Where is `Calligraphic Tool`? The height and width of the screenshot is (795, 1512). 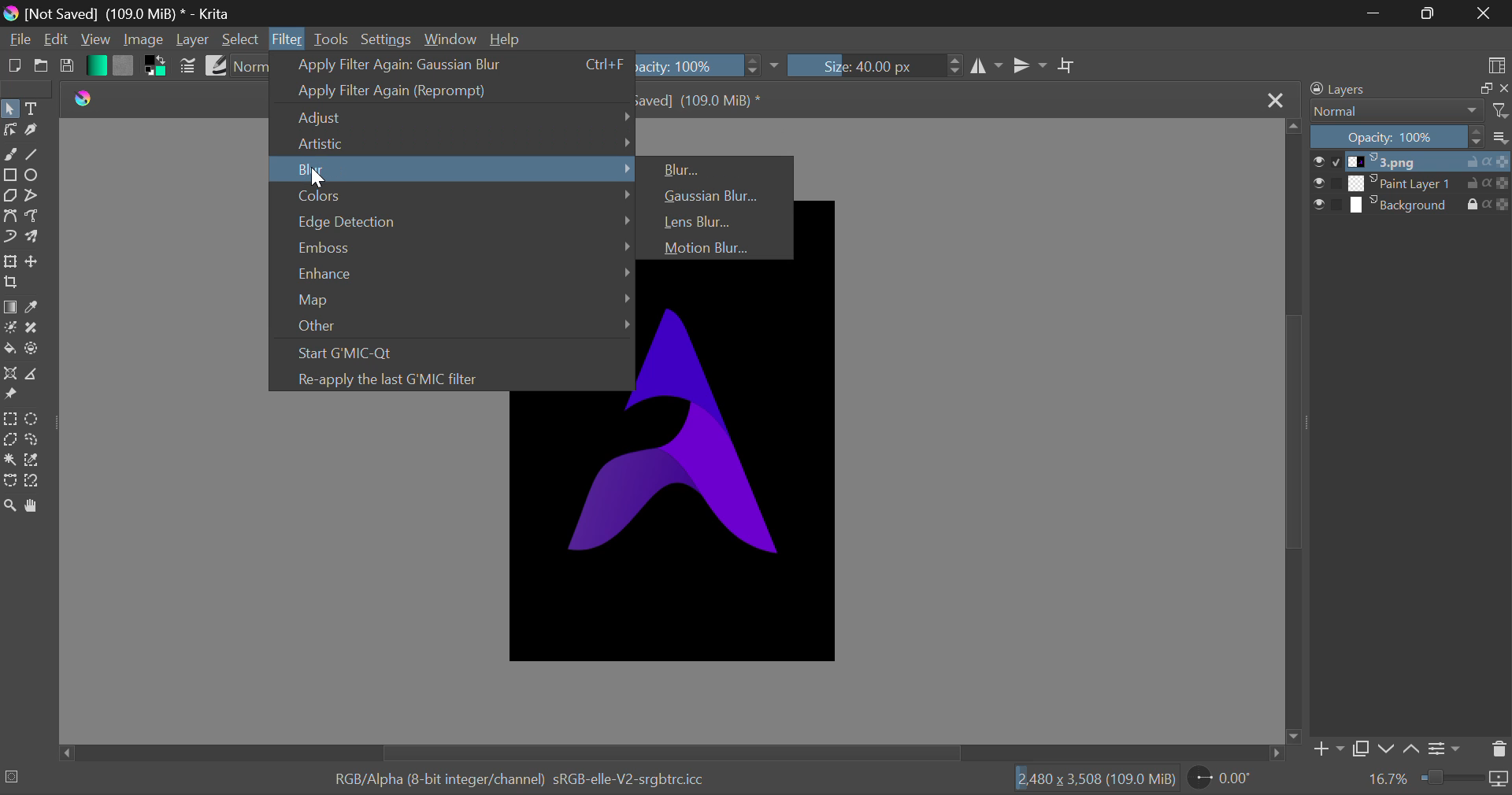
Calligraphic Tool is located at coordinates (31, 131).